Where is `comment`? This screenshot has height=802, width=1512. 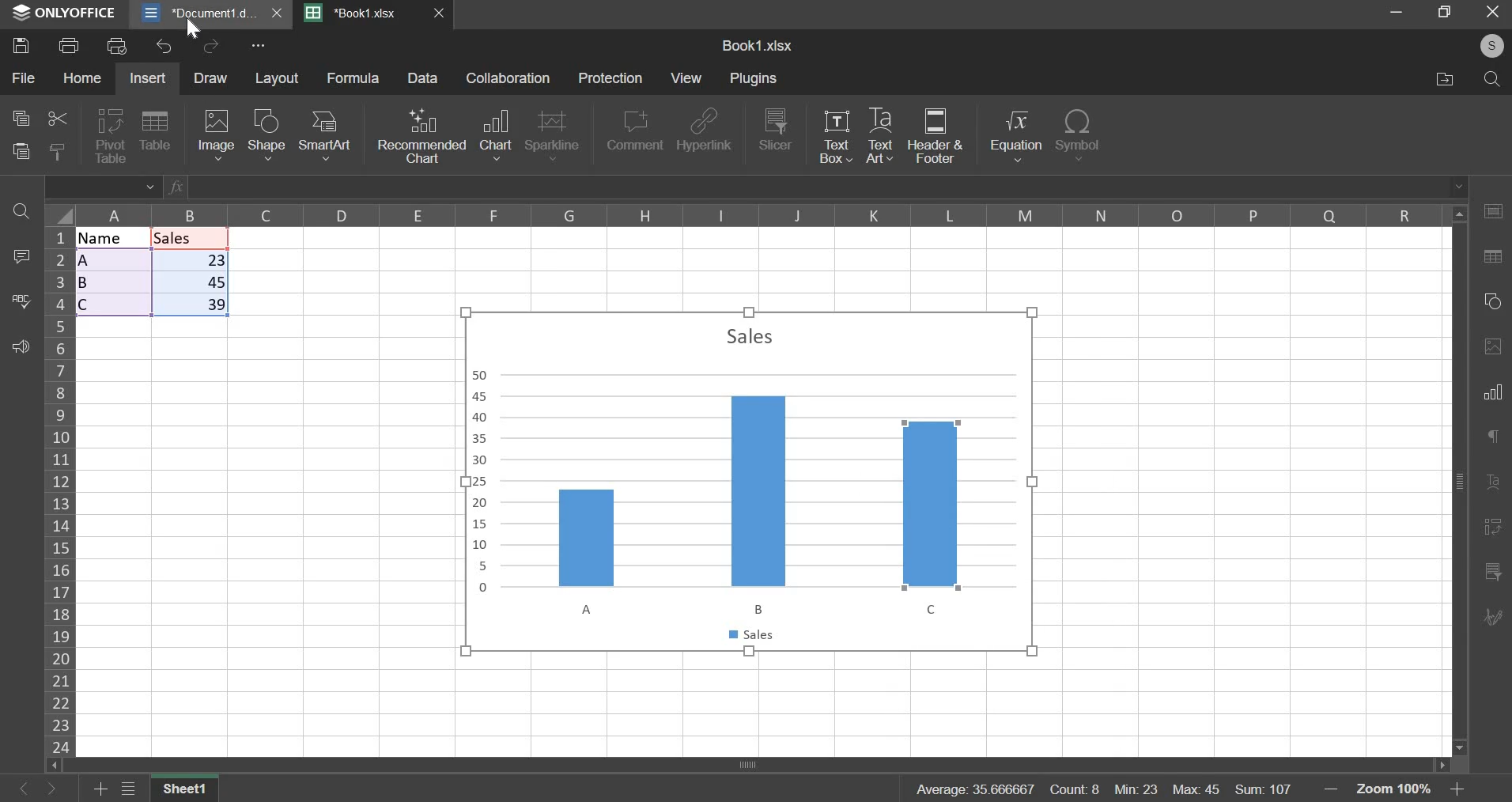
comment is located at coordinates (24, 259).